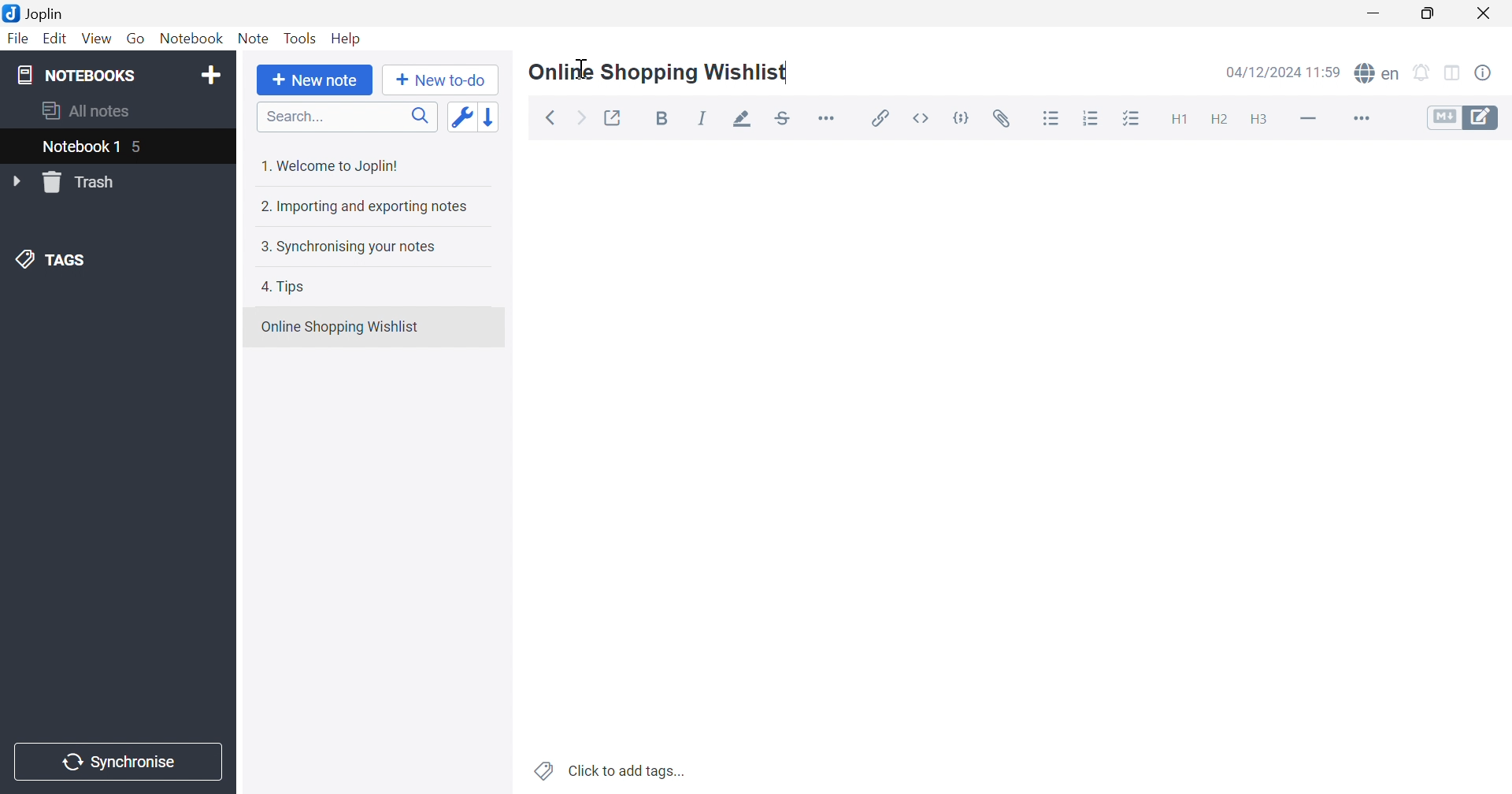 The height and width of the screenshot is (794, 1512). Describe the element at coordinates (782, 118) in the screenshot. I see `Strikethrough` at that location.